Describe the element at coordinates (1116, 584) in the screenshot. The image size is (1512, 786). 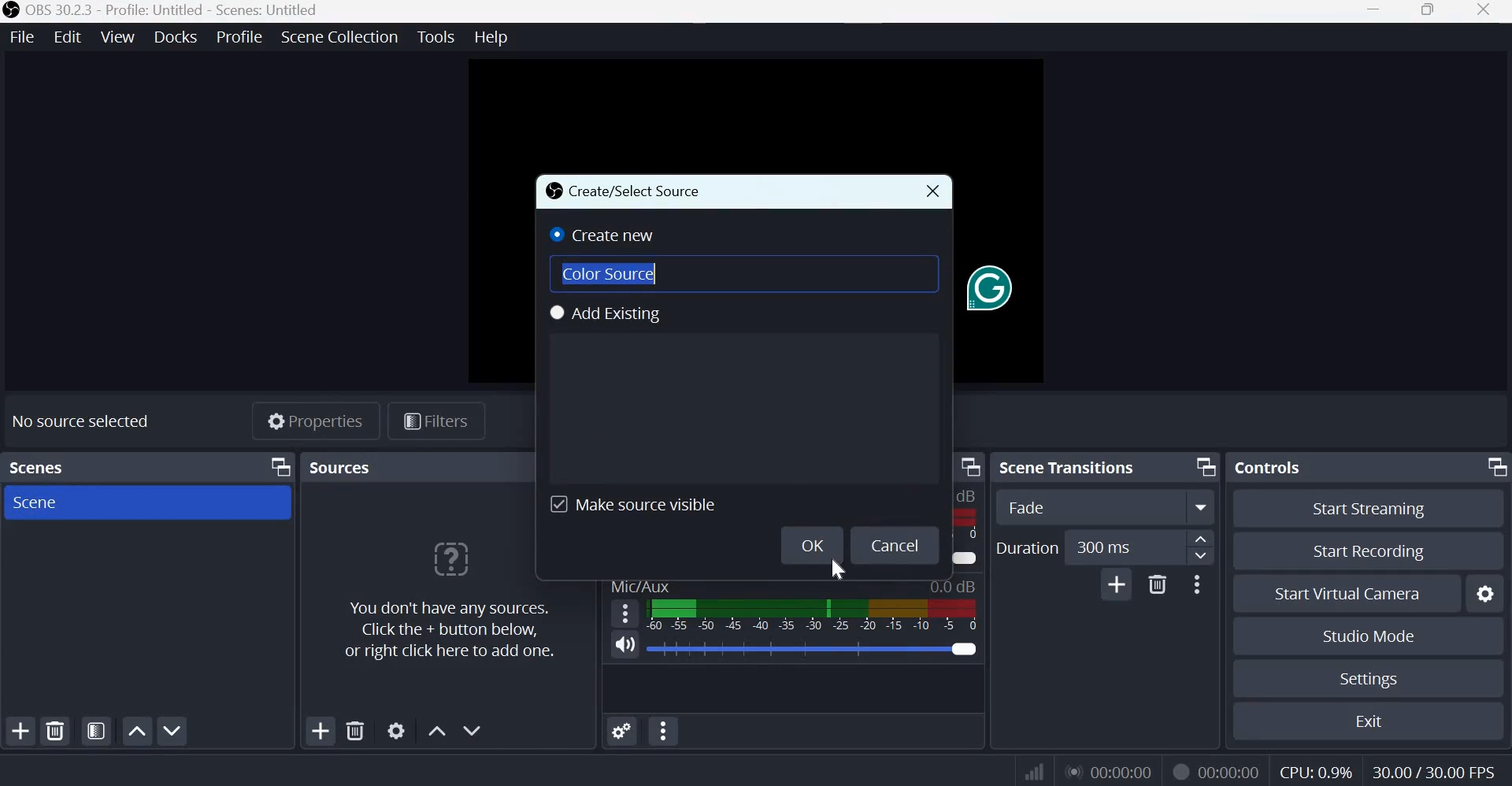
I see `Add Transition` at that location.